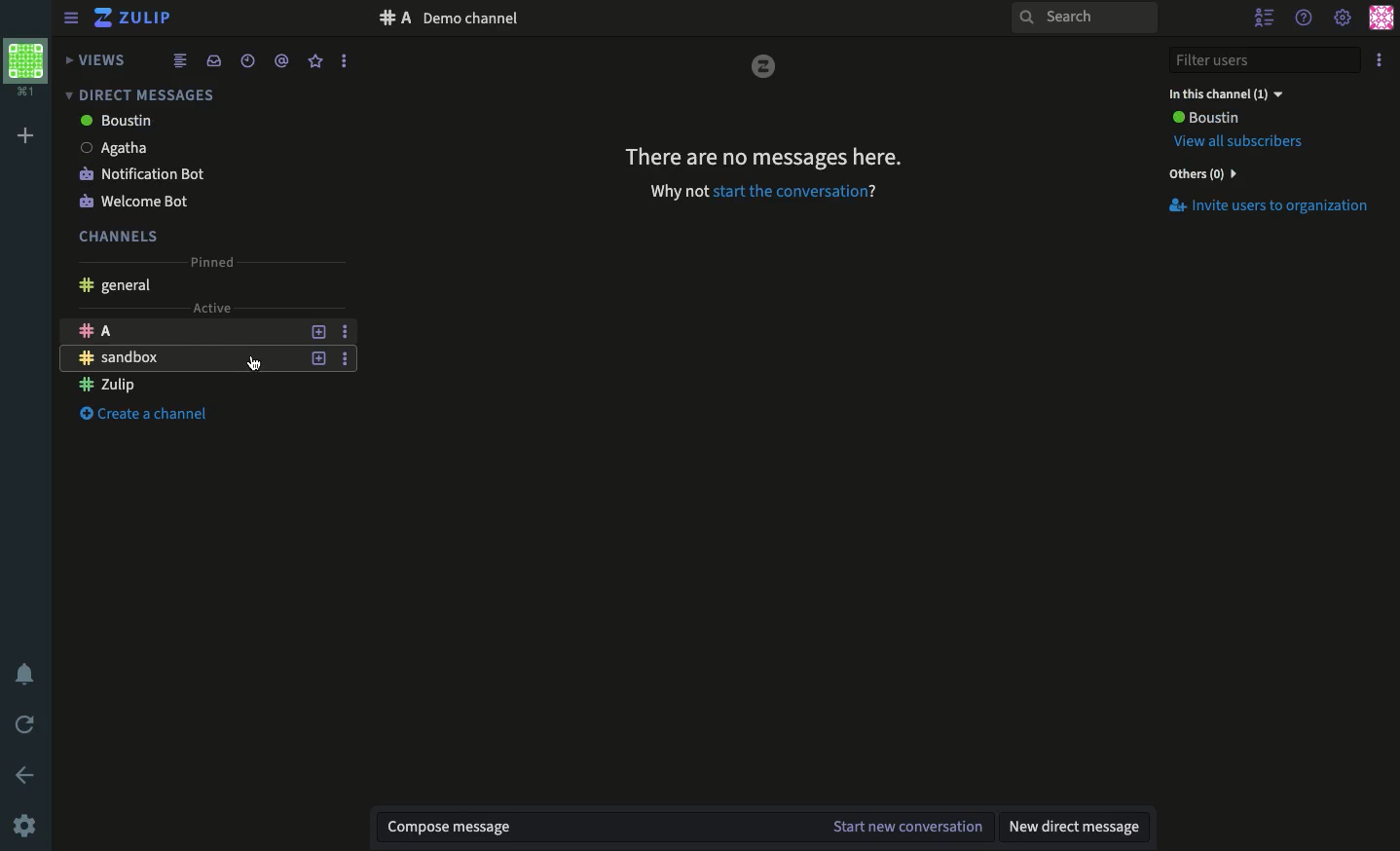 The height and width of the screenshot is (851, 1400). I want to click on Favorite, so click(316, 60).